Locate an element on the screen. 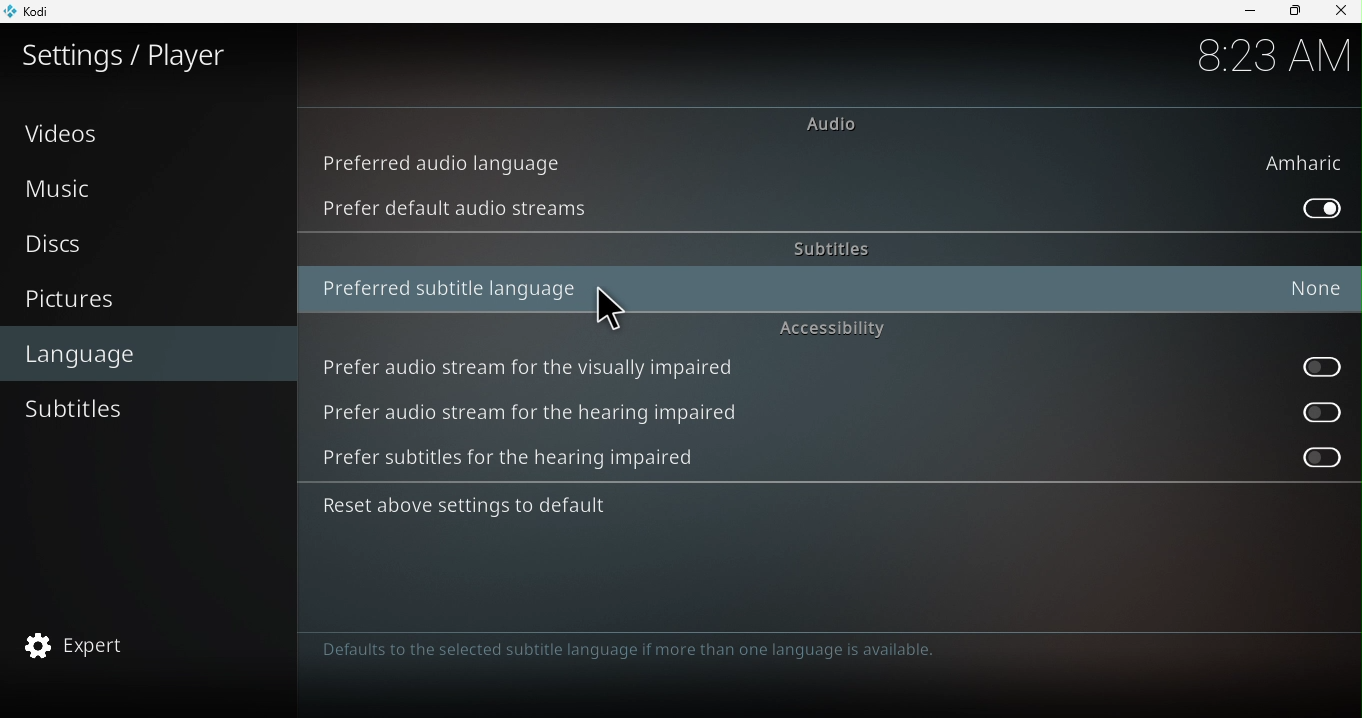  8:22 AM is located at coordinates (1271, 56).